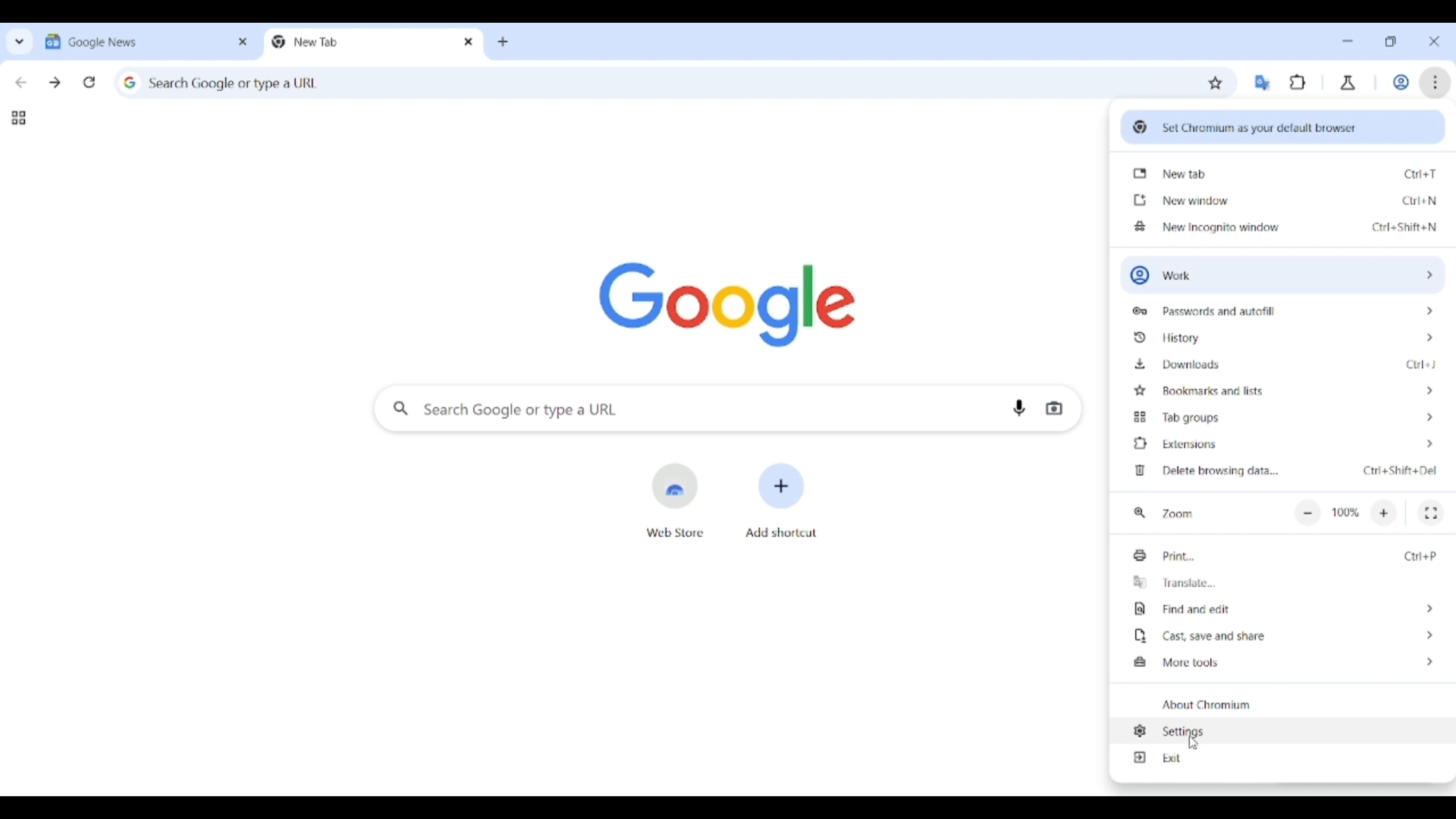 The height and width of the screenshot is (819, 1456). Describe the element at coordinates (1285, 555) in the screenshot. I see `Print` at that location.